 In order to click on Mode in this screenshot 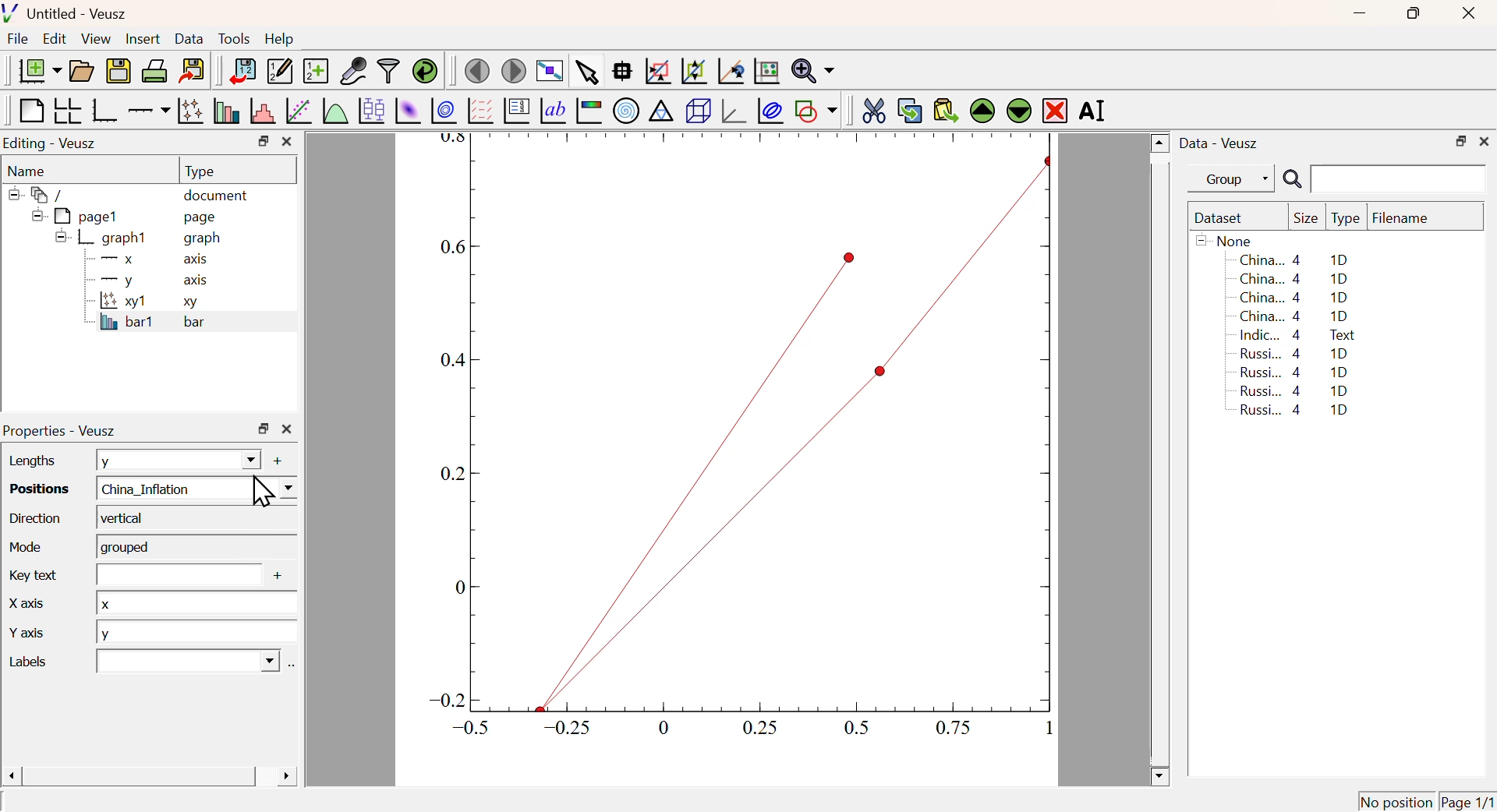, I will do `click(23, 545)`.